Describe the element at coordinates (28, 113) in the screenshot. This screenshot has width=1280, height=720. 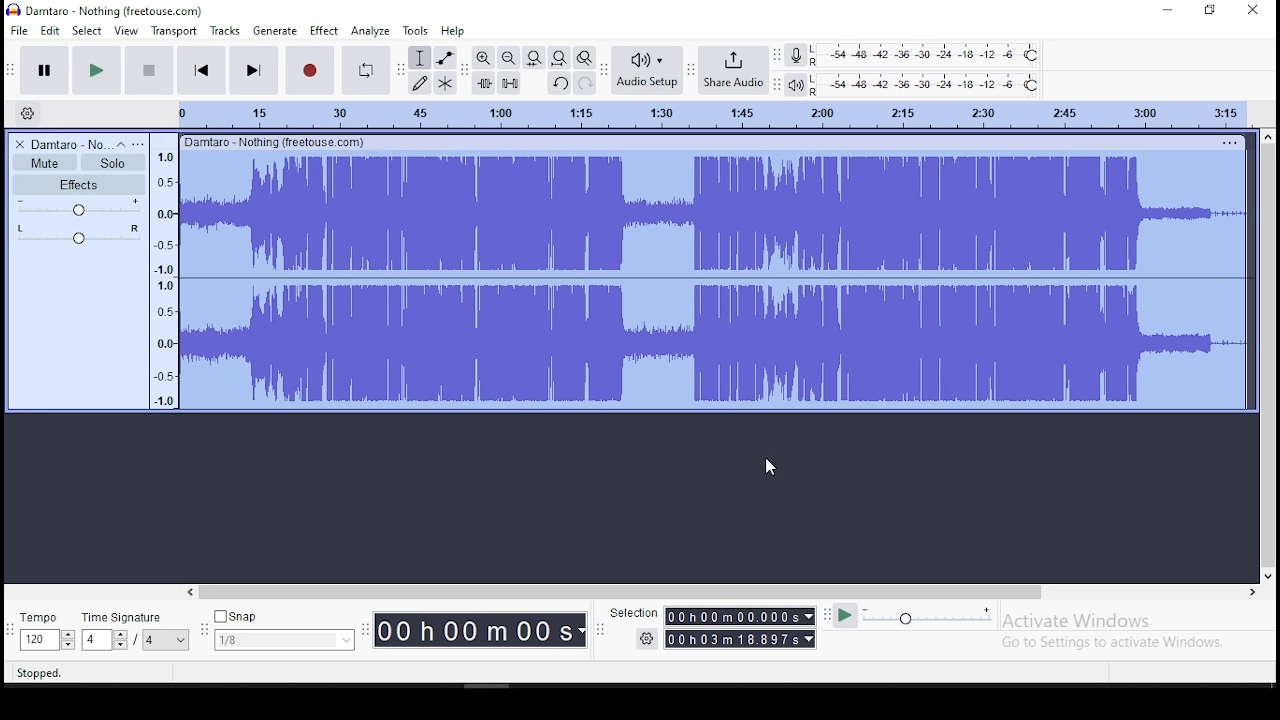
I see `timeline settings` at that location.